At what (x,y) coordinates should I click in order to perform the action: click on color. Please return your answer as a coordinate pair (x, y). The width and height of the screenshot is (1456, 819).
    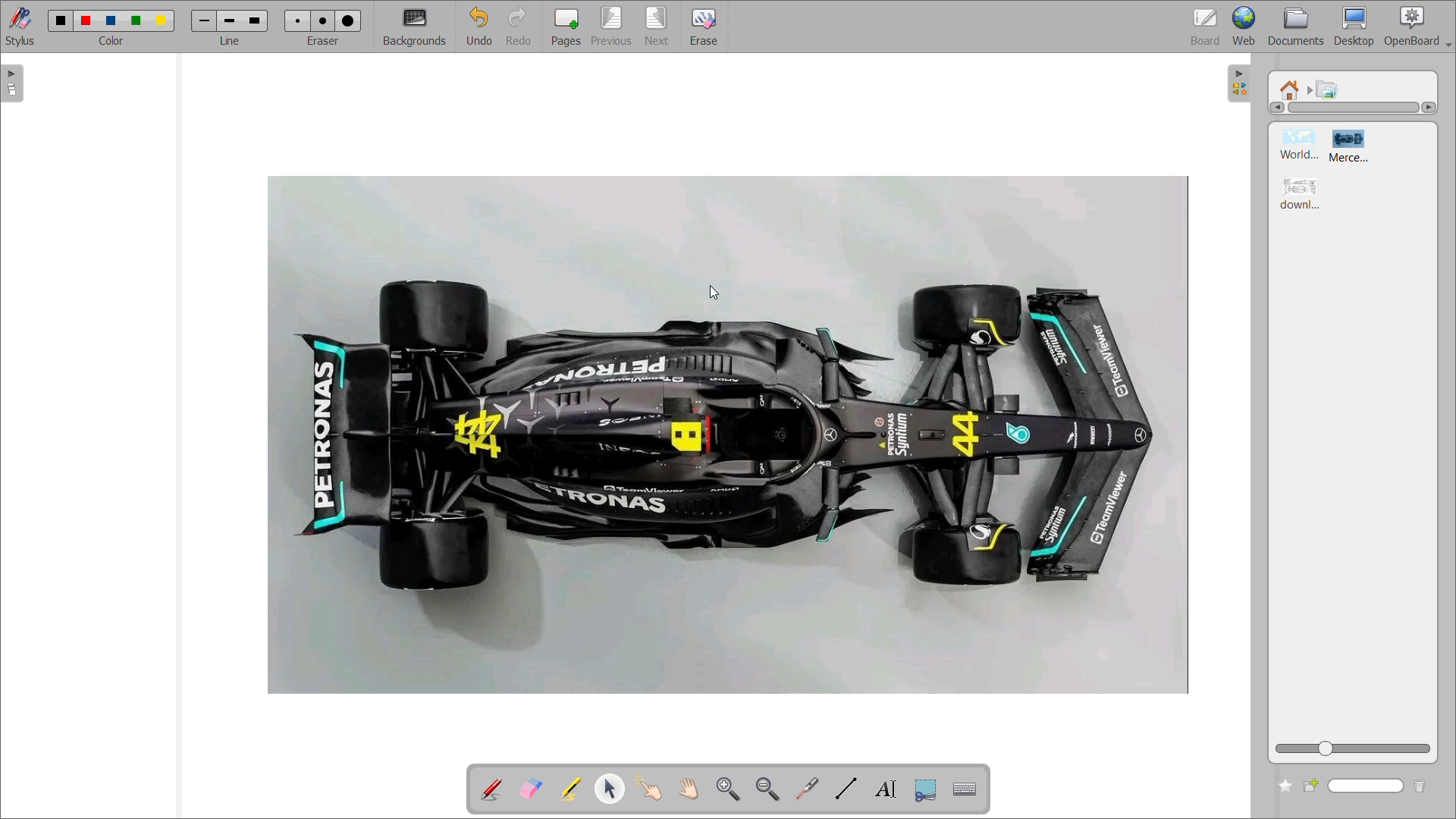
    Looking at the image, I should click on (116, 45).